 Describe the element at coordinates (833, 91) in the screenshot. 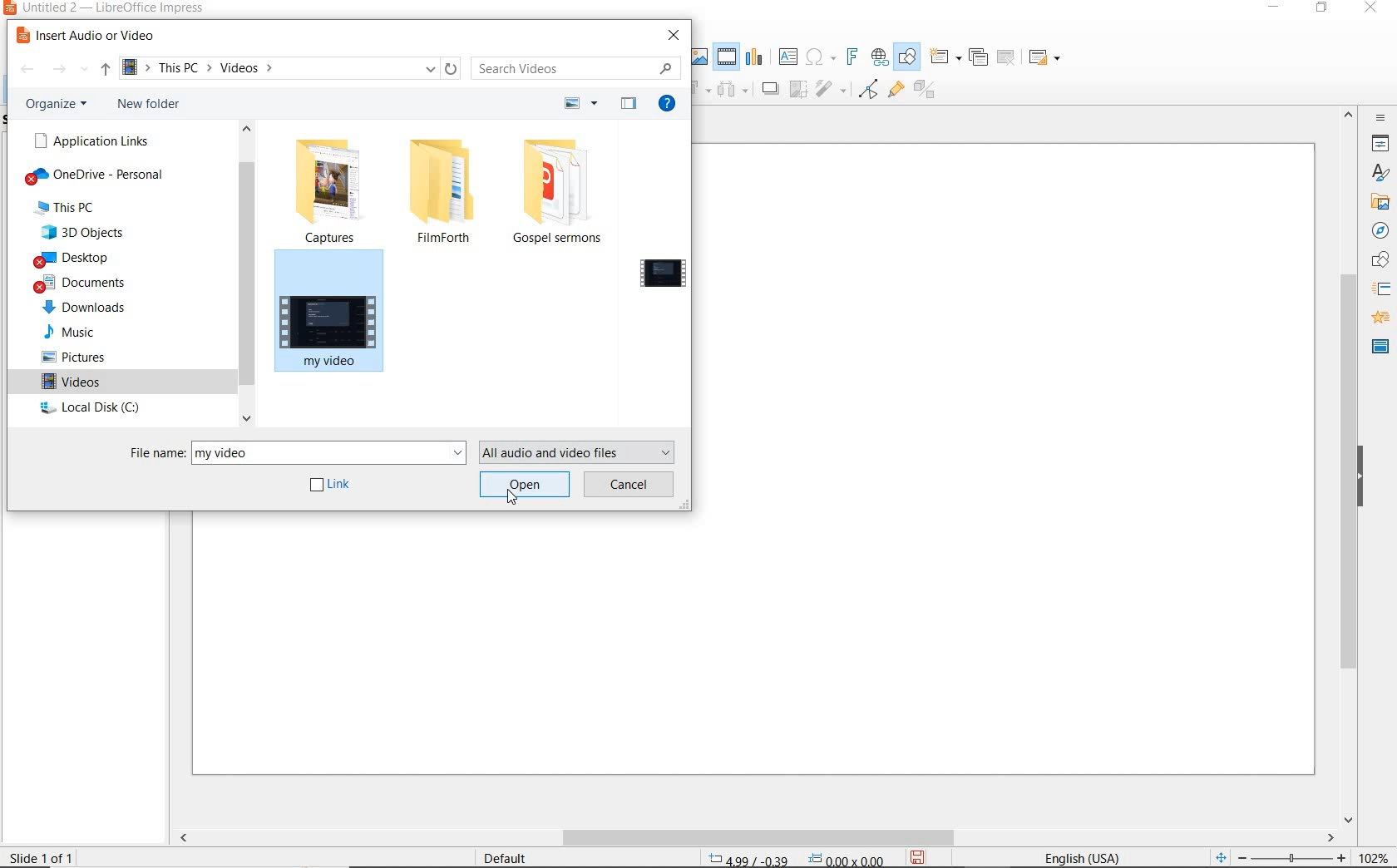

I see `icon` at that location.